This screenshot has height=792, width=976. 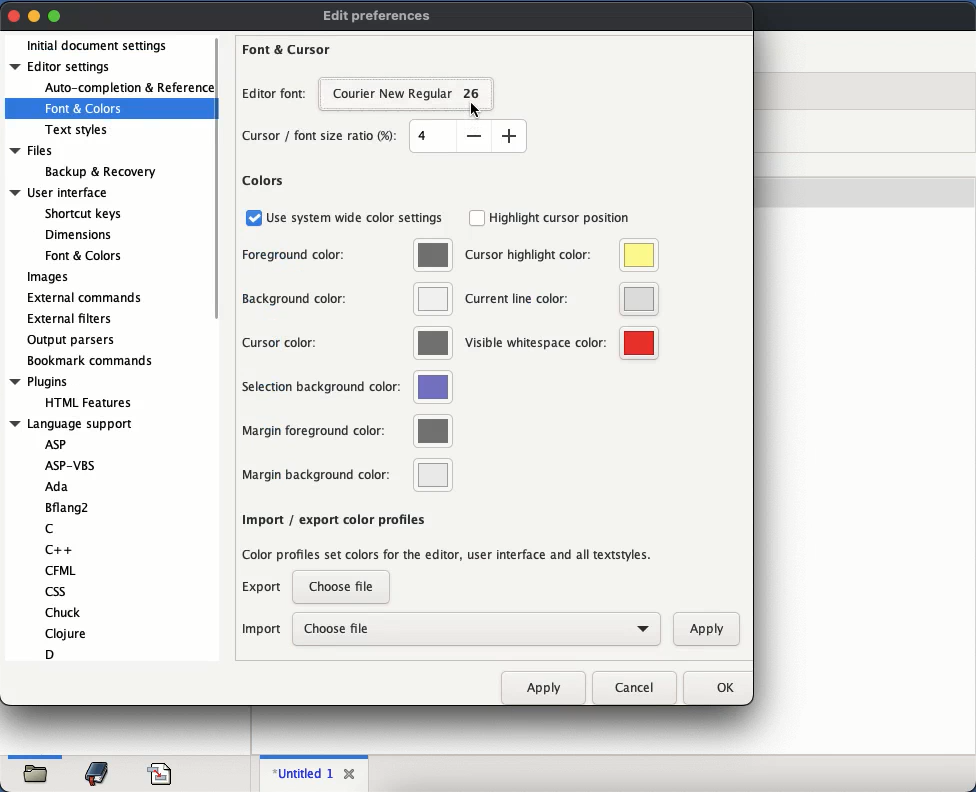 What do you see at coordinates (98, 45) in the screenshot?
I see `initial document settings` at bounding box center [98, 45].